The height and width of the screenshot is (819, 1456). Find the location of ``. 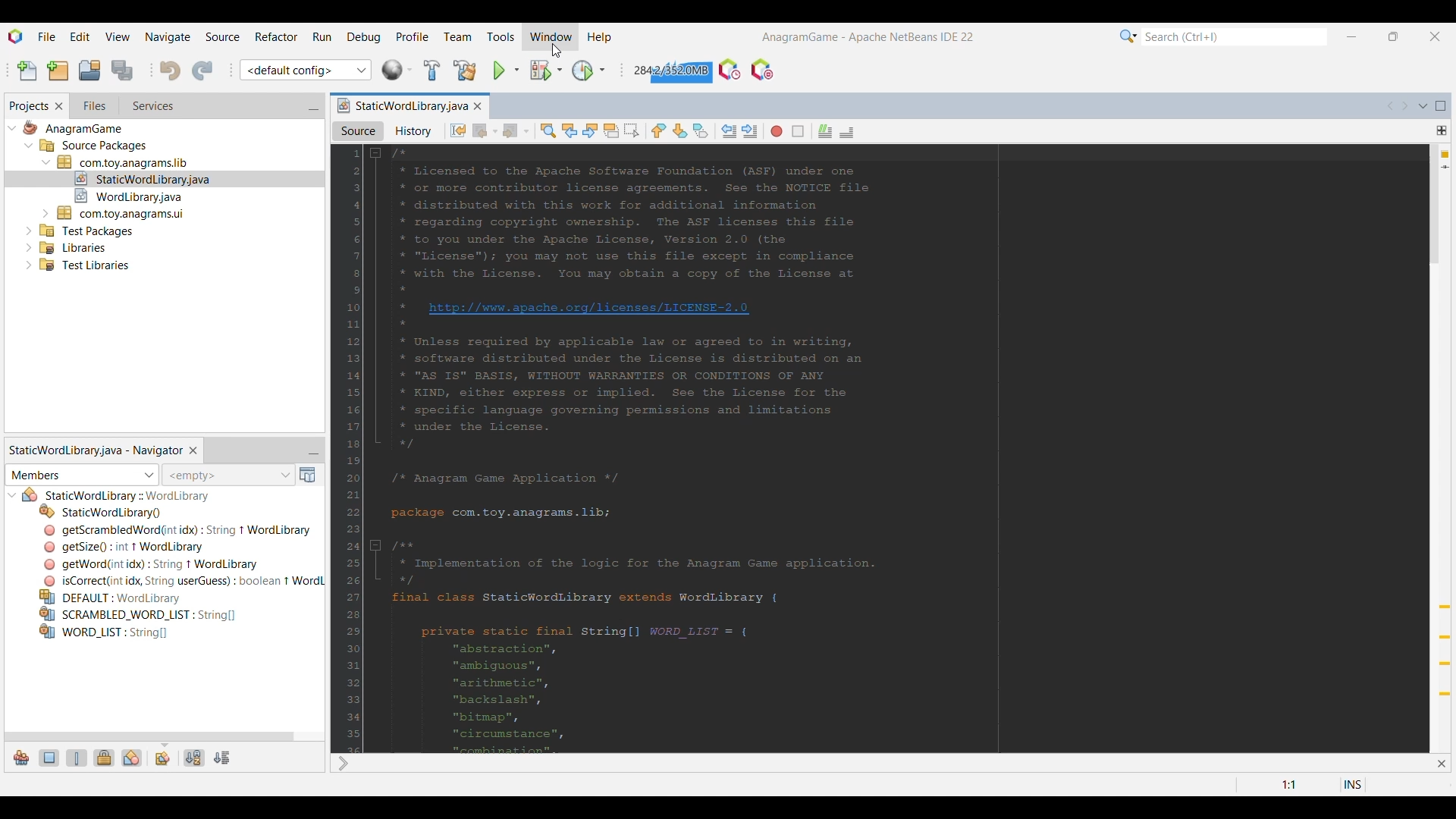

 is located at coordinates (102, 511).